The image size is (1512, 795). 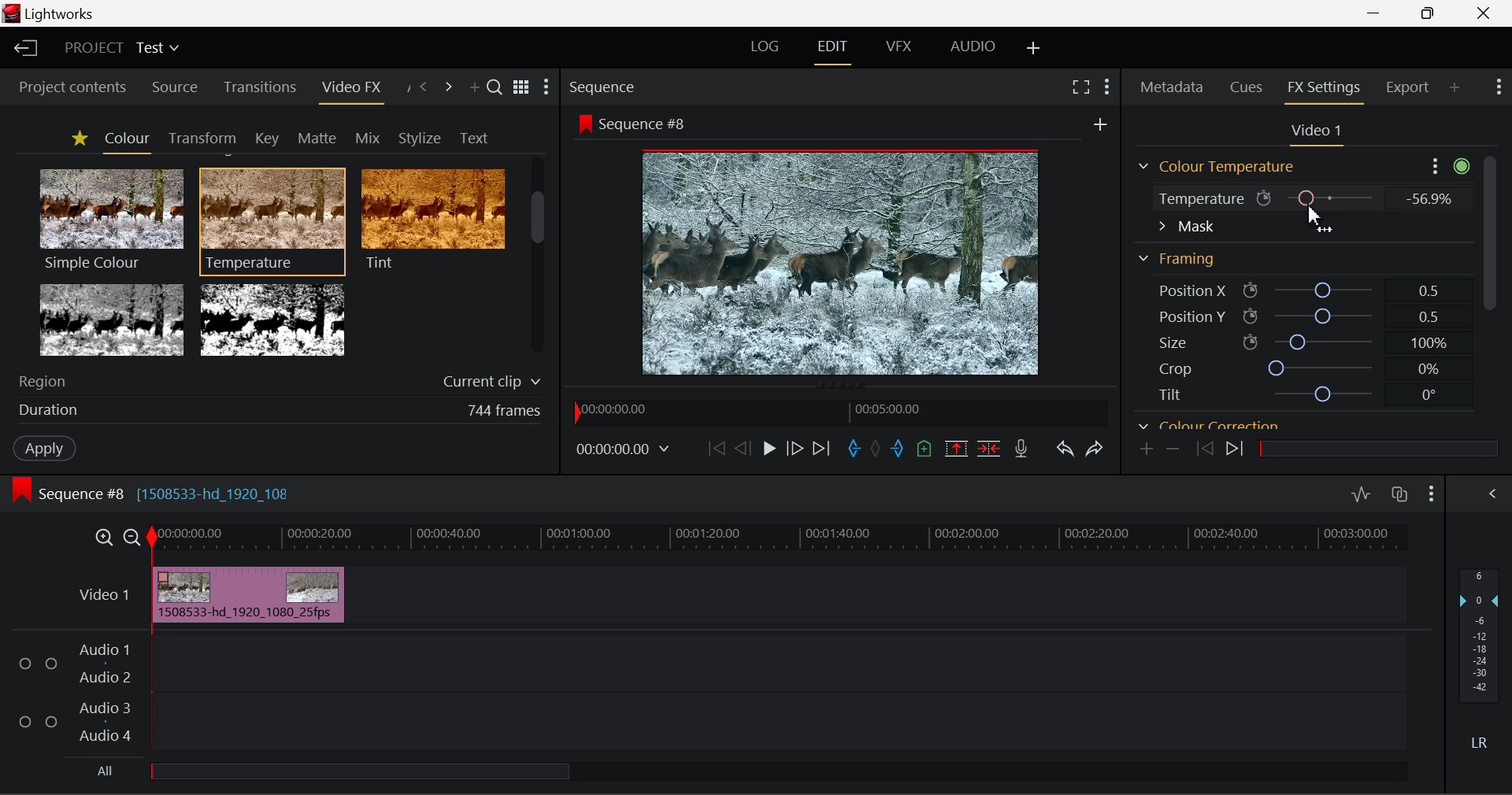 I want to click on Cursor, so click(x=1320, y=219).